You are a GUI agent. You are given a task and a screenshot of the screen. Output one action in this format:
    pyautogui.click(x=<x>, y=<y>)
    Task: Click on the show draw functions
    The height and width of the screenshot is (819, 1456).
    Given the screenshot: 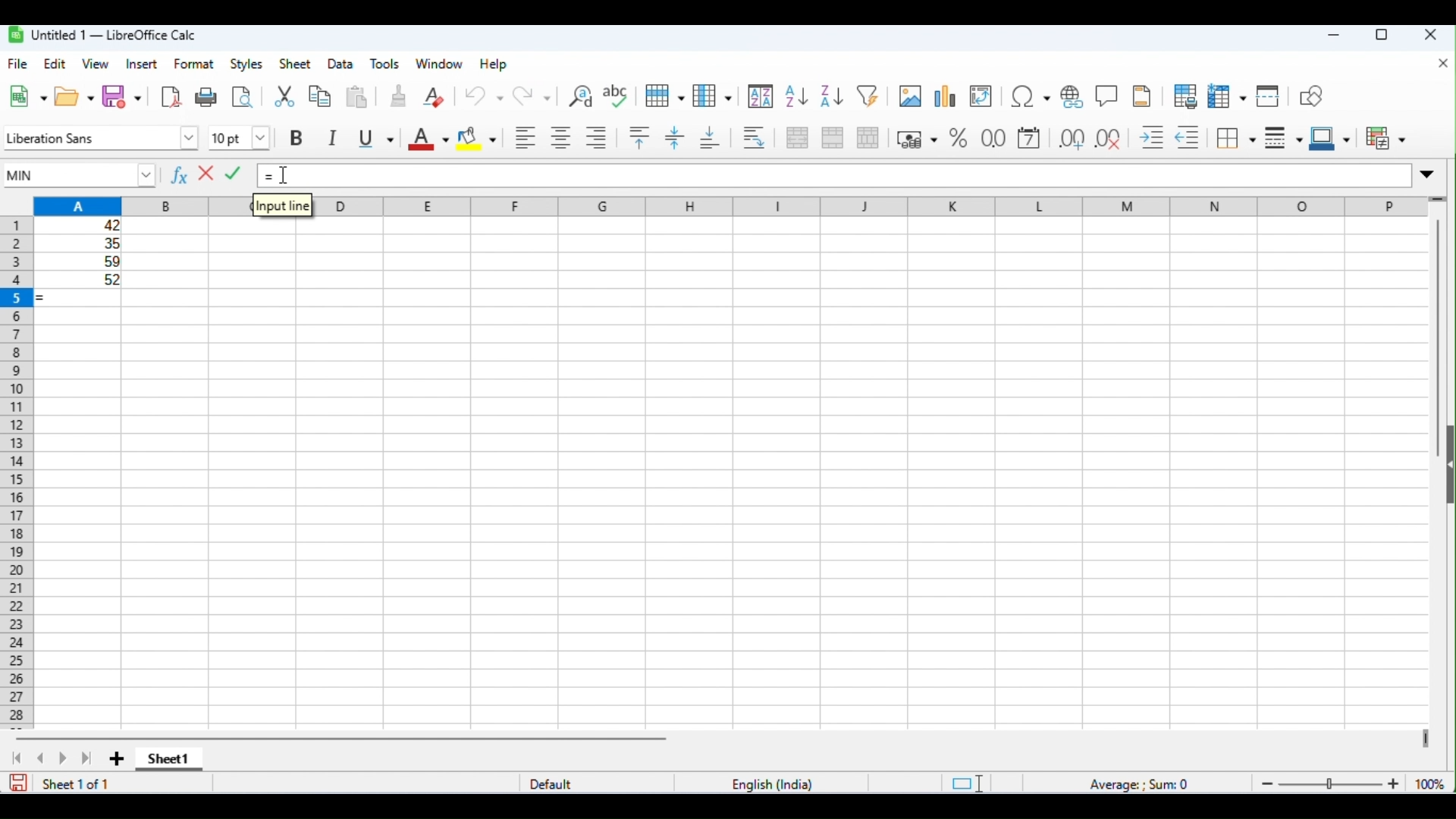 What is the action you would take?
    pyautogui.click(x=1311, y=97)
    